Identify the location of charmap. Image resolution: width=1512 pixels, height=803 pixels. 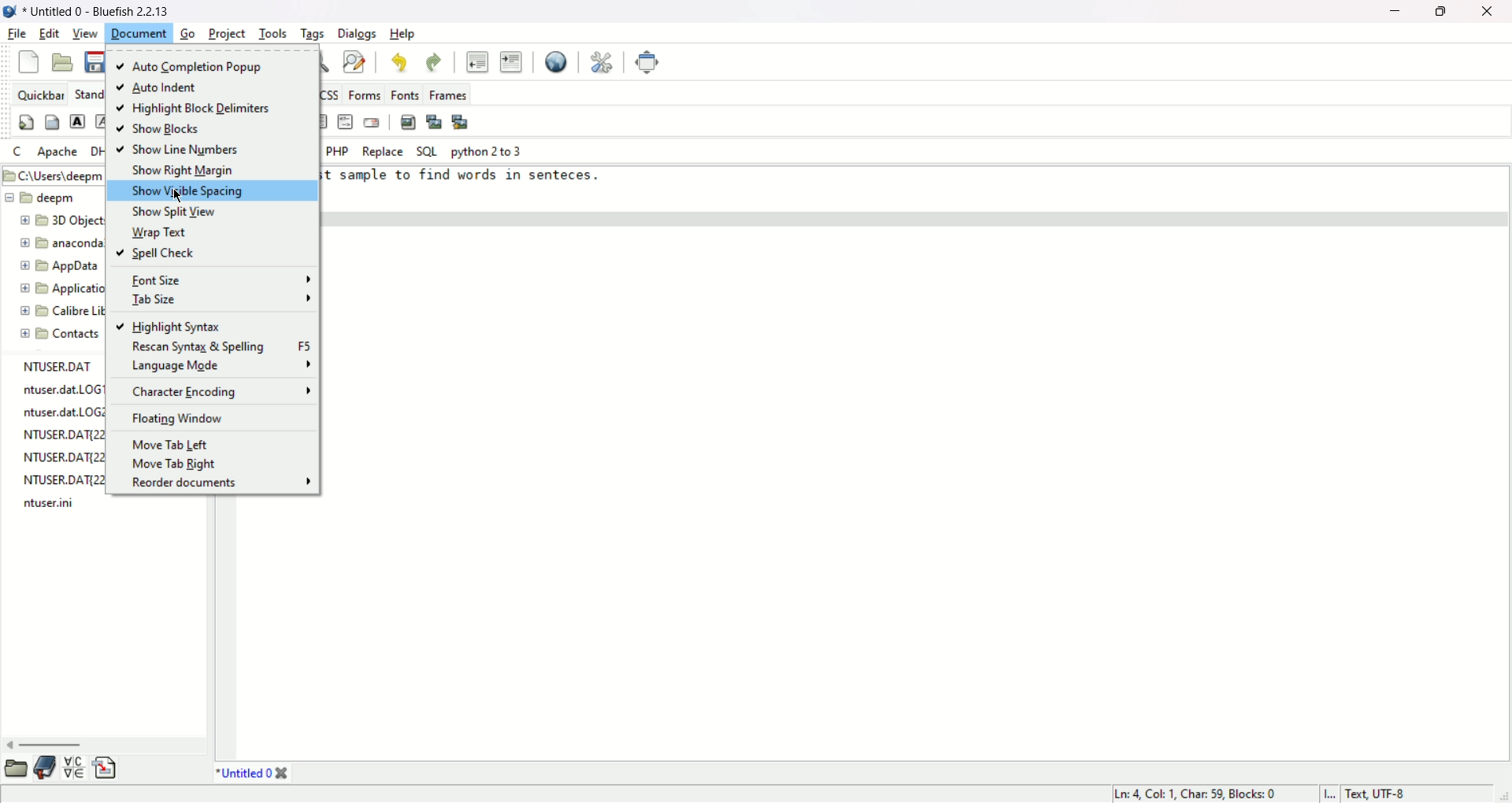
(74, 769).